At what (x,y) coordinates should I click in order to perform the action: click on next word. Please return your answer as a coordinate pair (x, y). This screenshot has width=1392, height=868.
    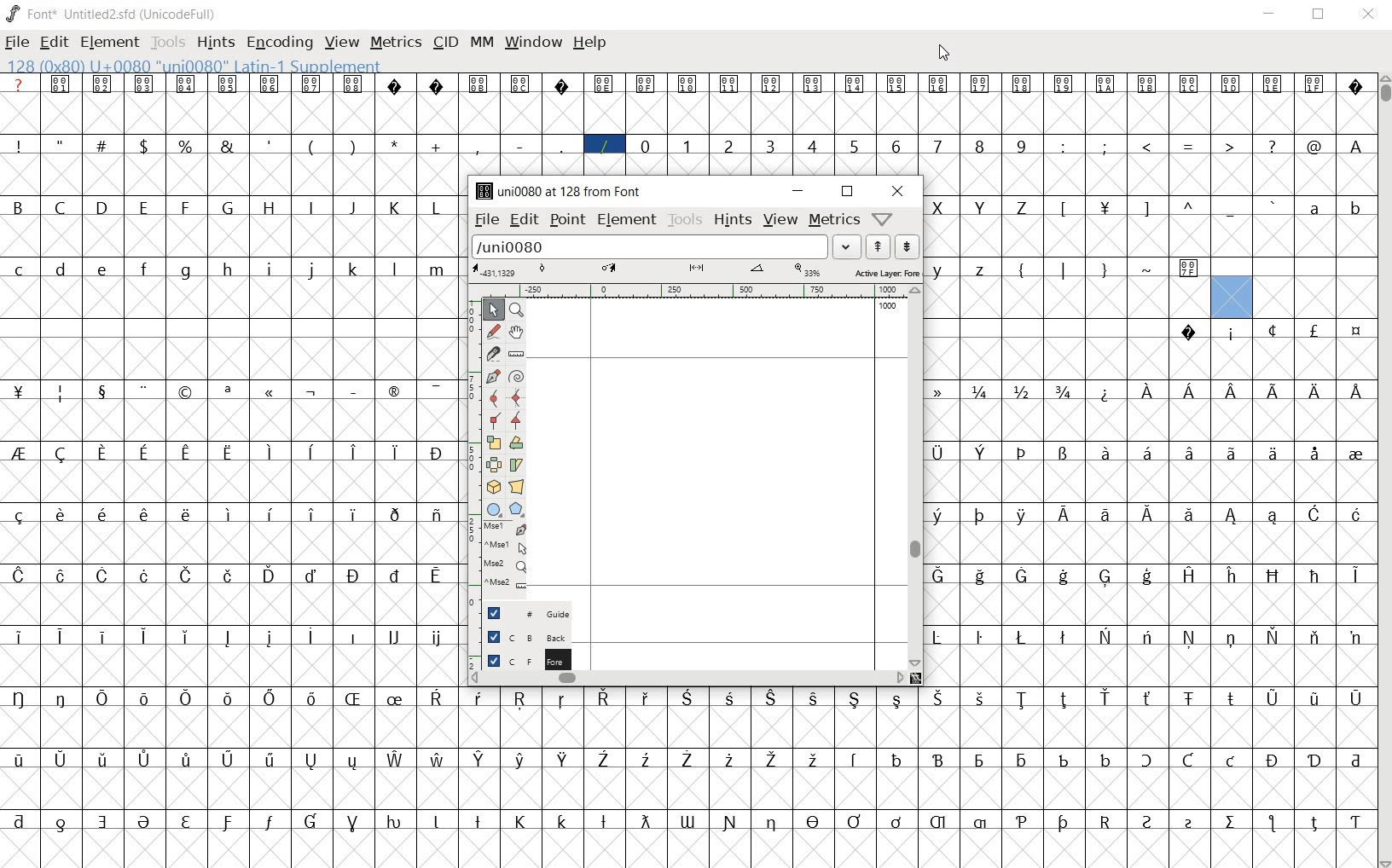
    Looking at the image, I should click on (907, 247).